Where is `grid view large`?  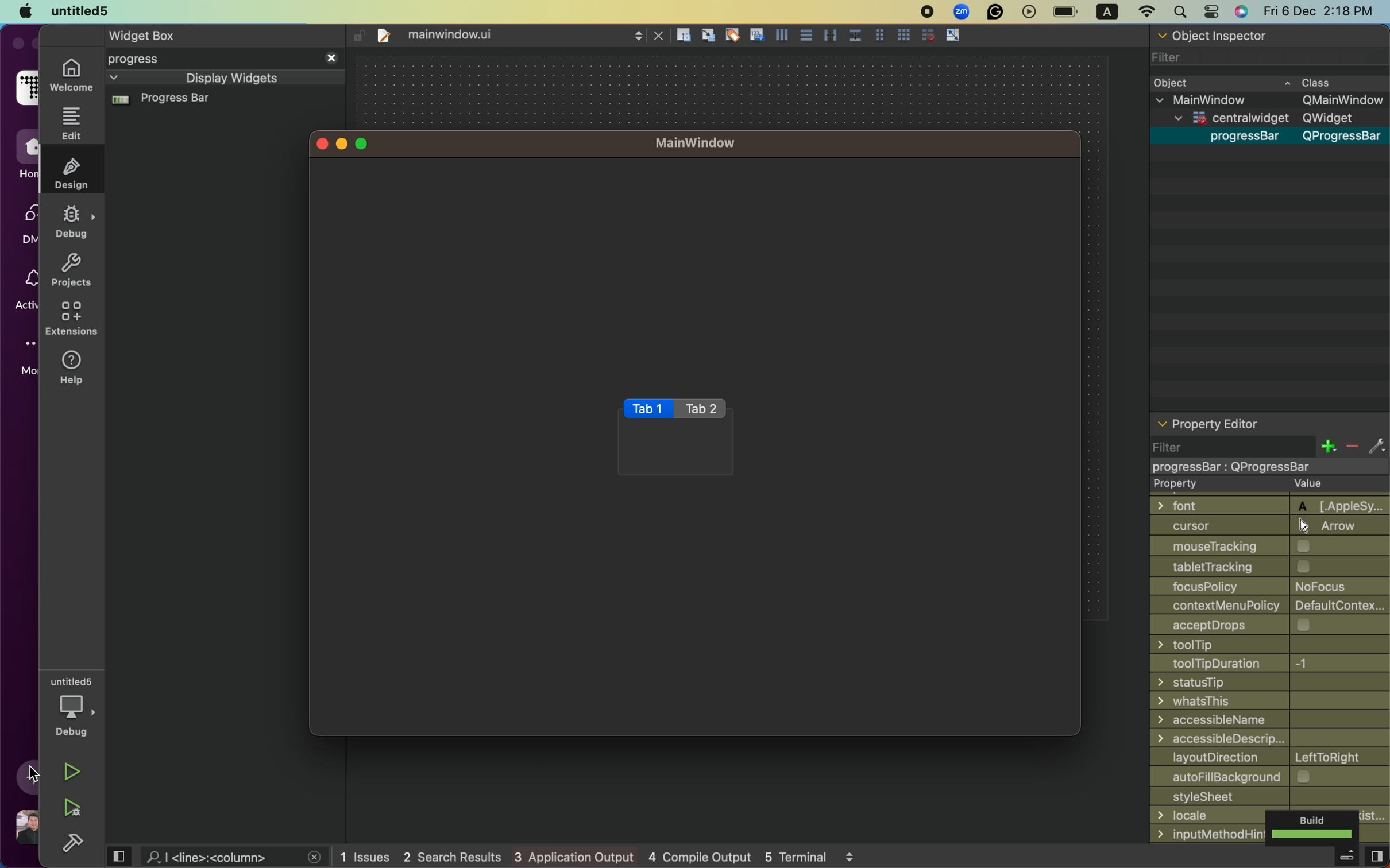
grid view large is located at coordinates (904, 36).